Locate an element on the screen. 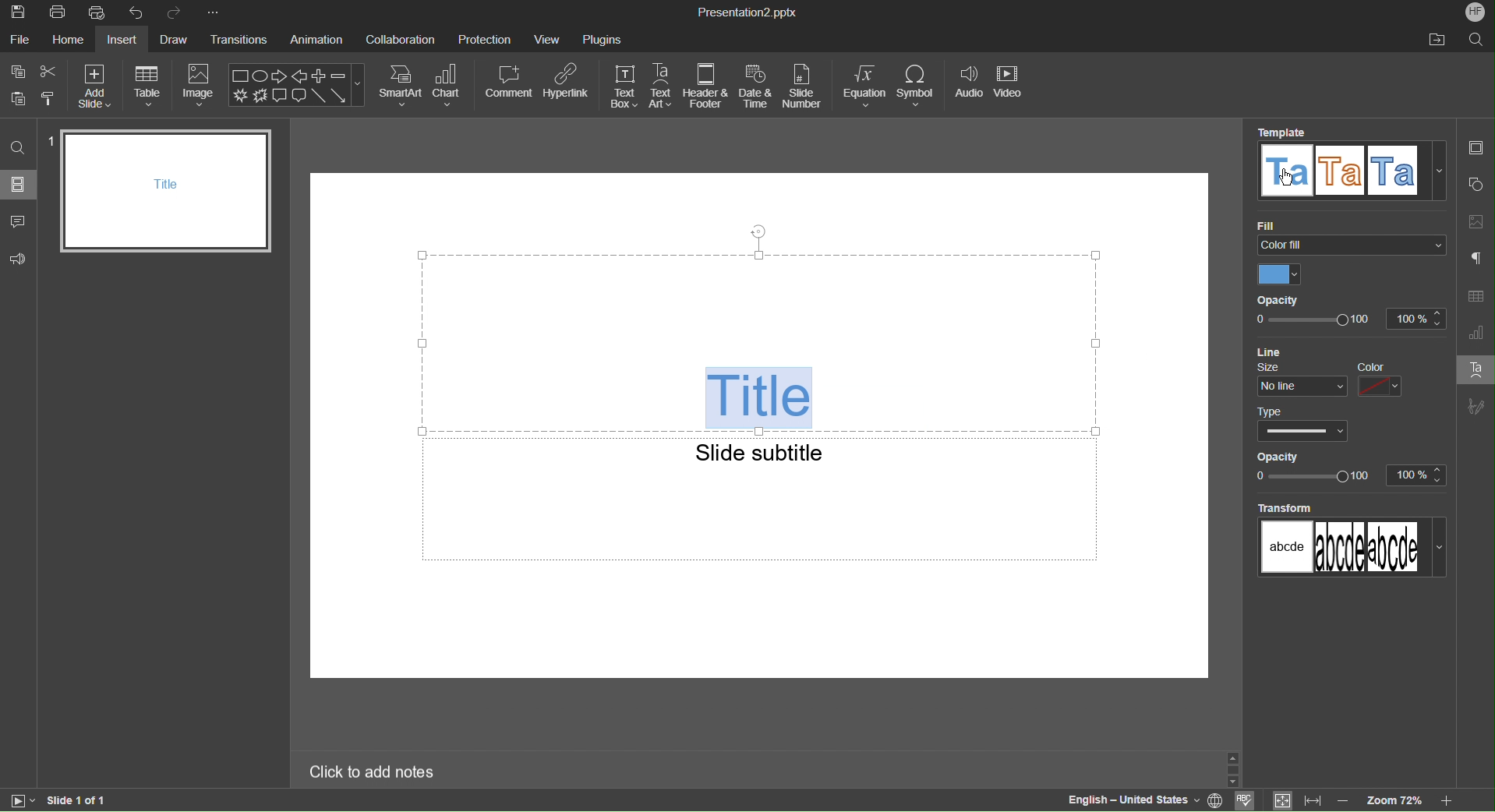 This screenshot has width=1495, height=812. Add Slide is located at coordinates (93, 86).